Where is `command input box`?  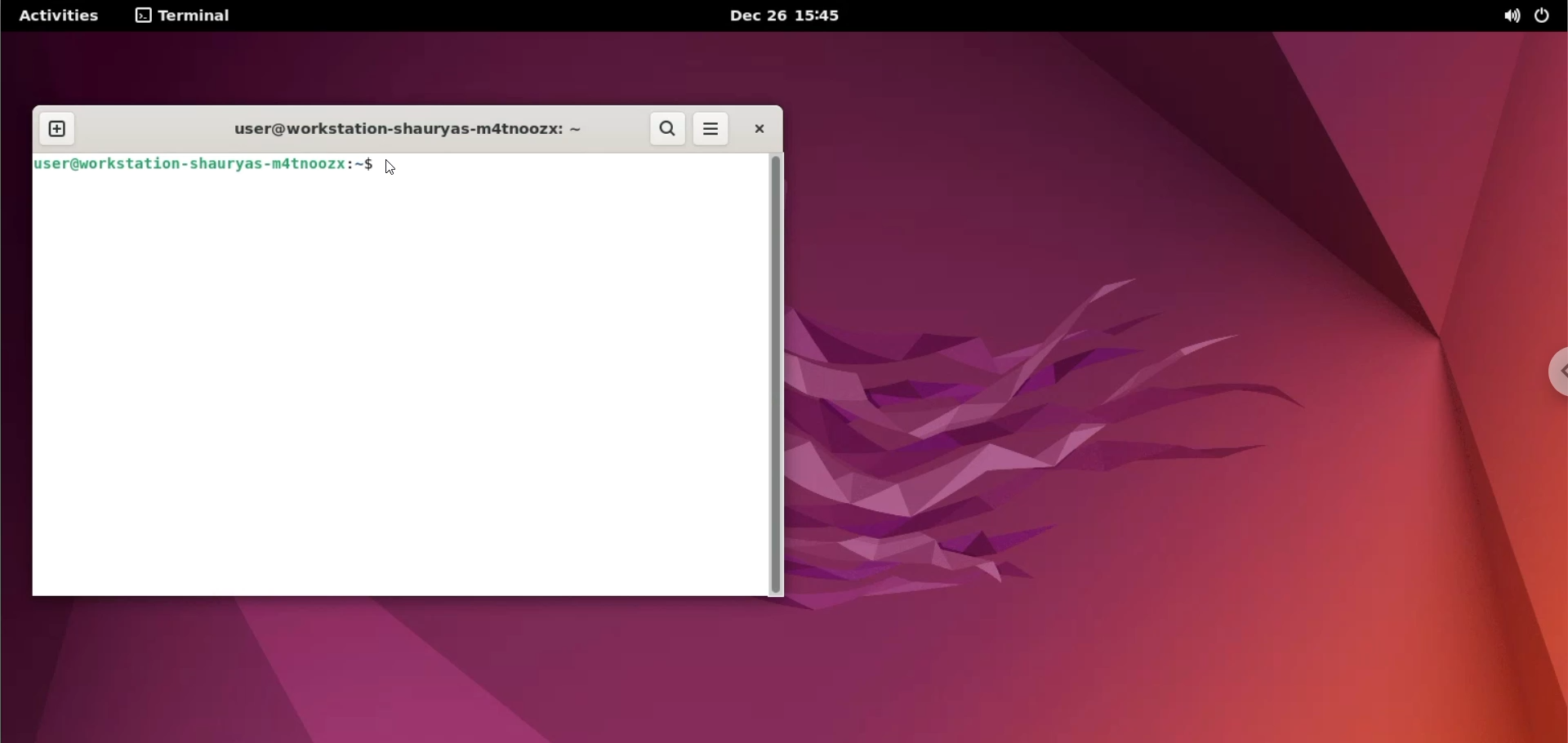
command input box is located at coordinates (398, 391).